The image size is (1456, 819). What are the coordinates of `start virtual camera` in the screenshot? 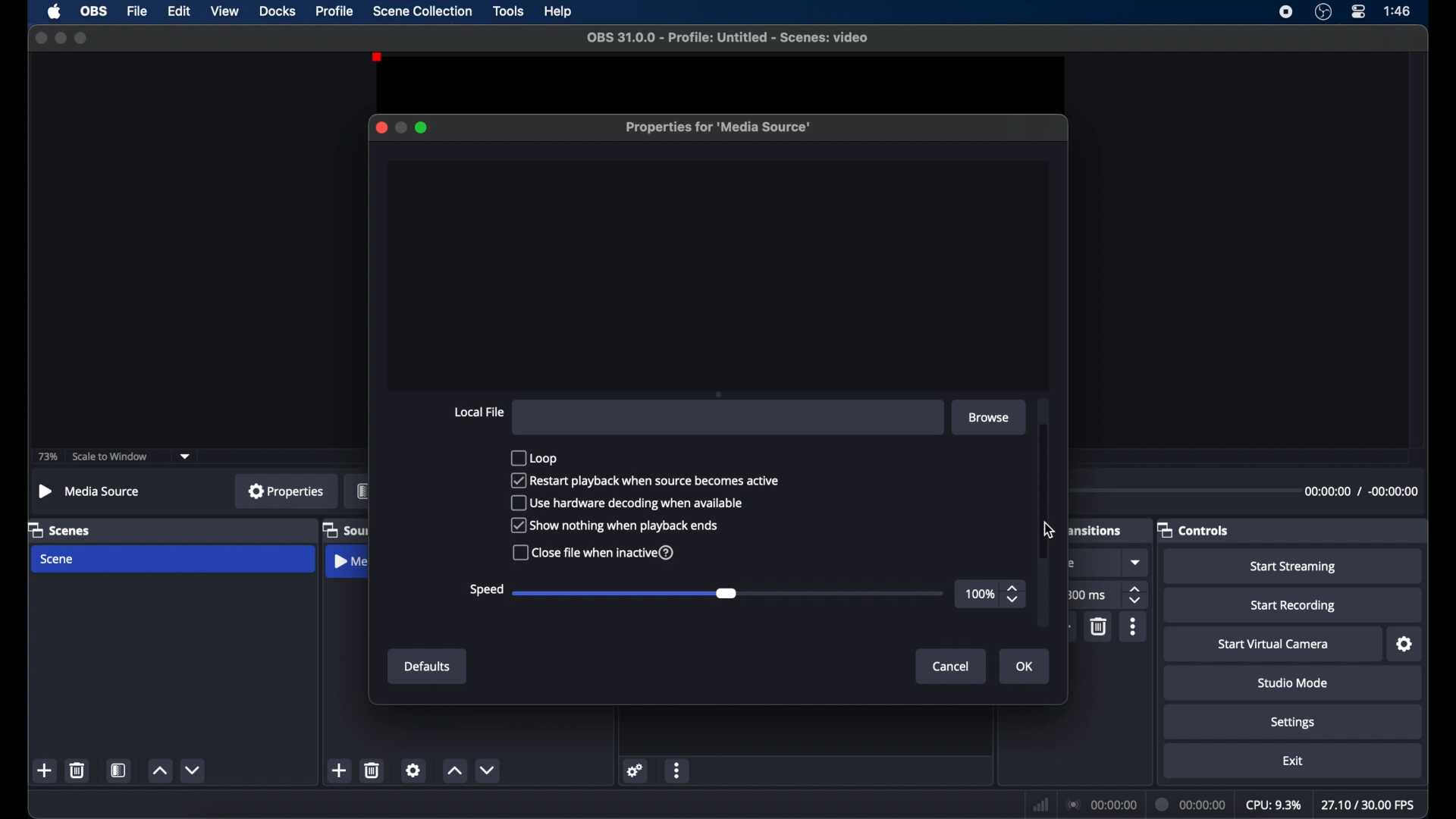 It's located at (1277, 645).